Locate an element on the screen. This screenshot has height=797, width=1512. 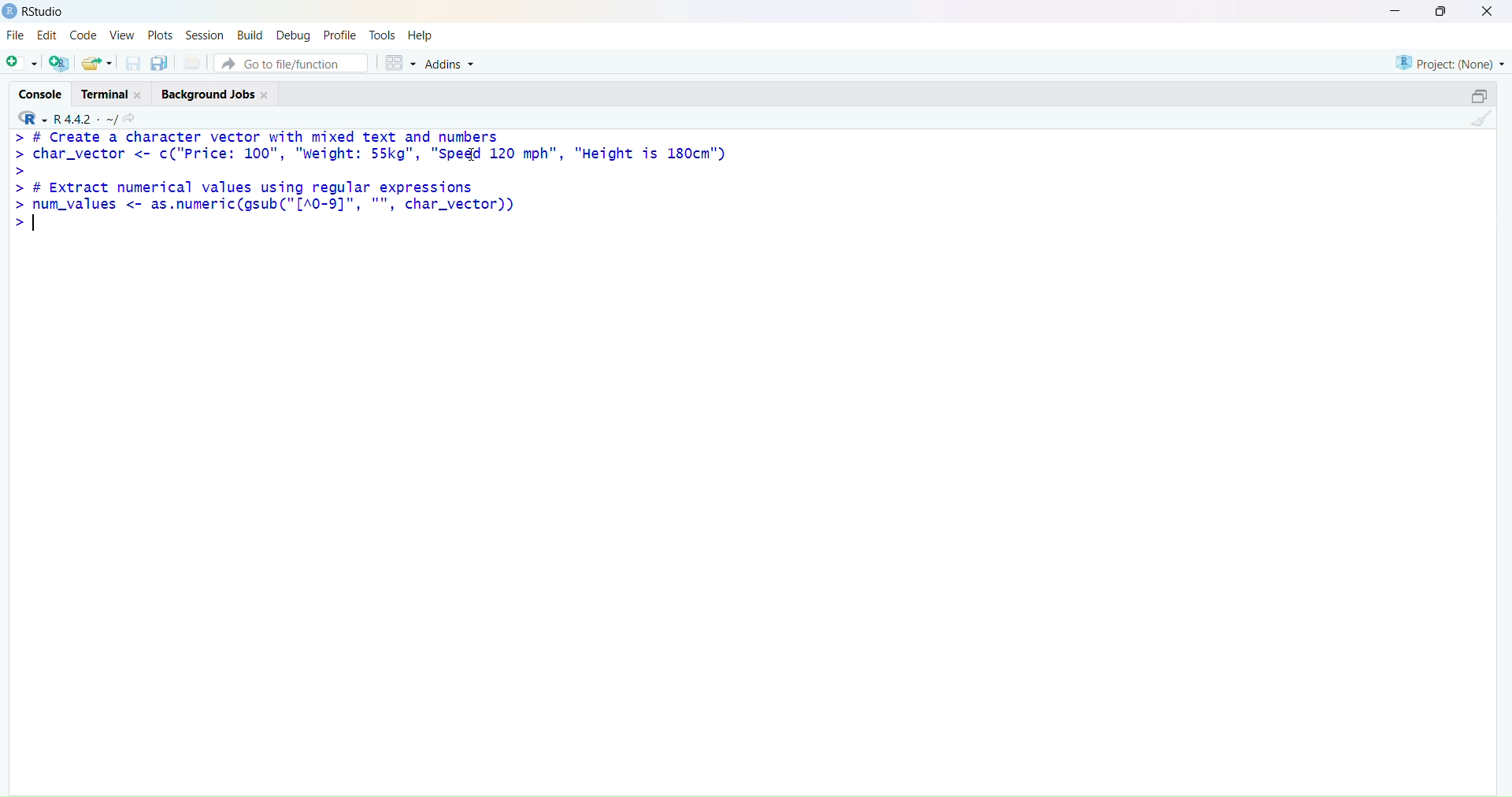
session is located at coordinates (206, 36).